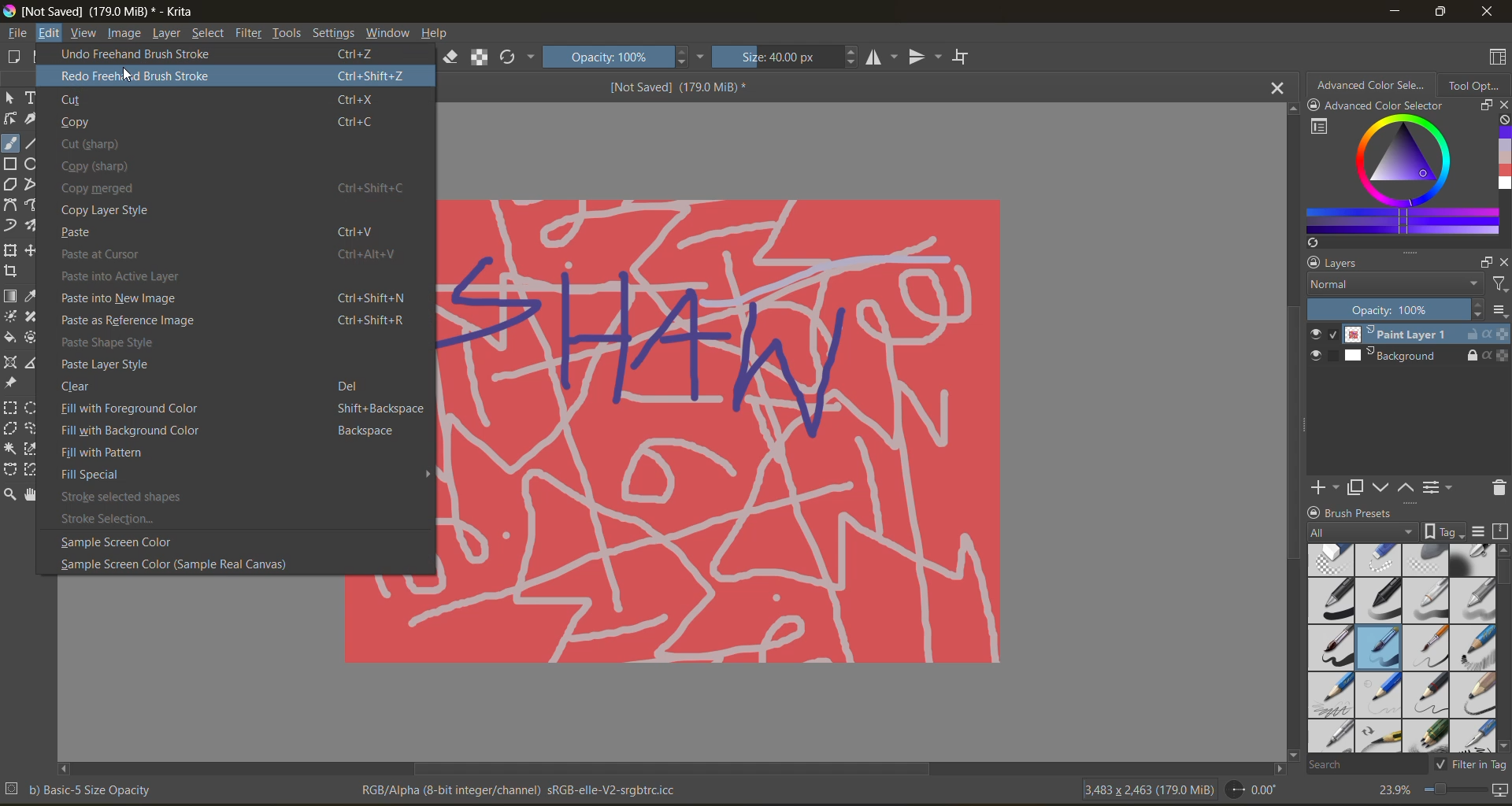 The height and width of the screenshot is (806, 1512). I want to click on paste into active layer, so click(198, 275).